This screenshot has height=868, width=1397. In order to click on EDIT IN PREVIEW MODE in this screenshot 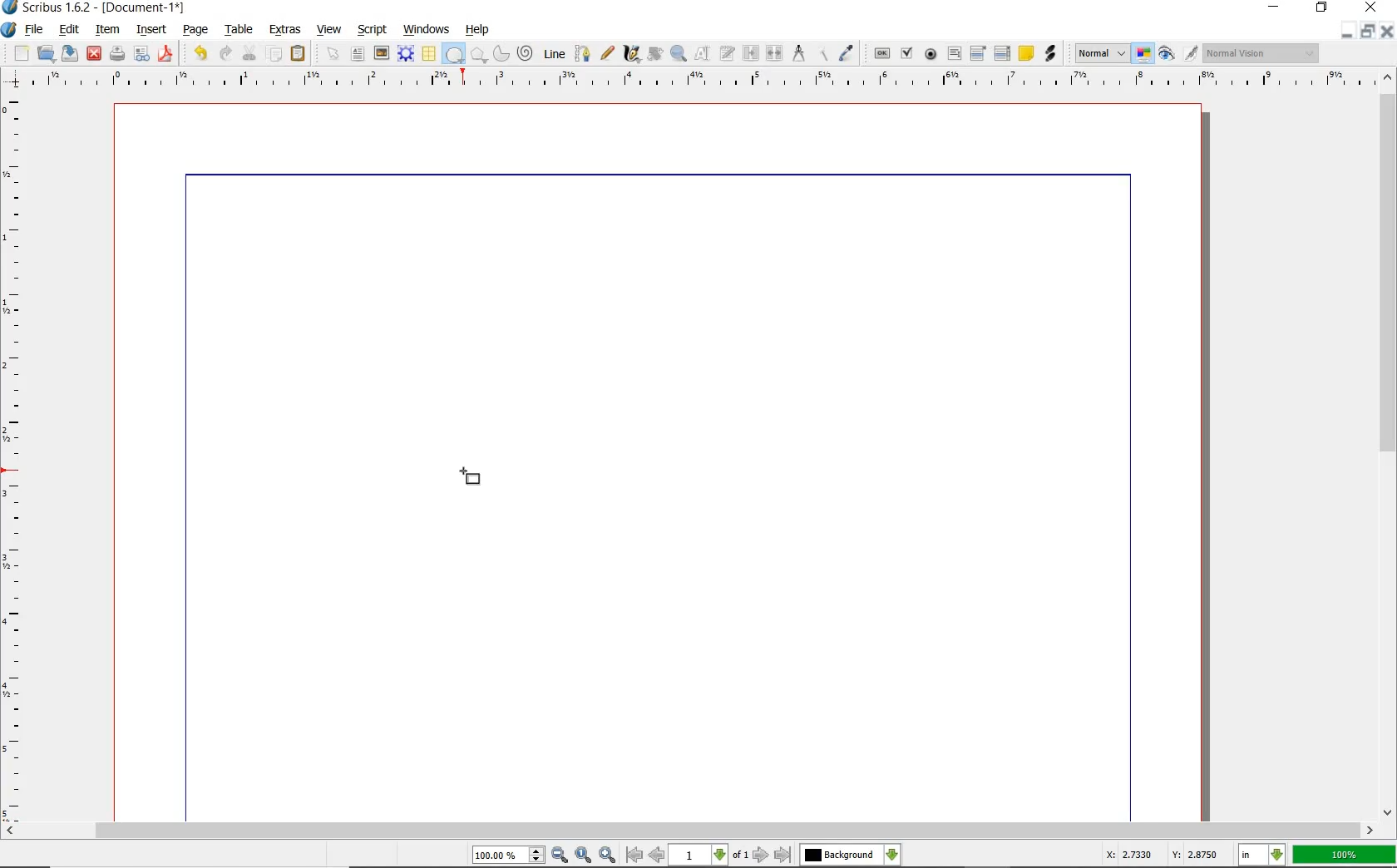, I will do `click(1190, 52)`.